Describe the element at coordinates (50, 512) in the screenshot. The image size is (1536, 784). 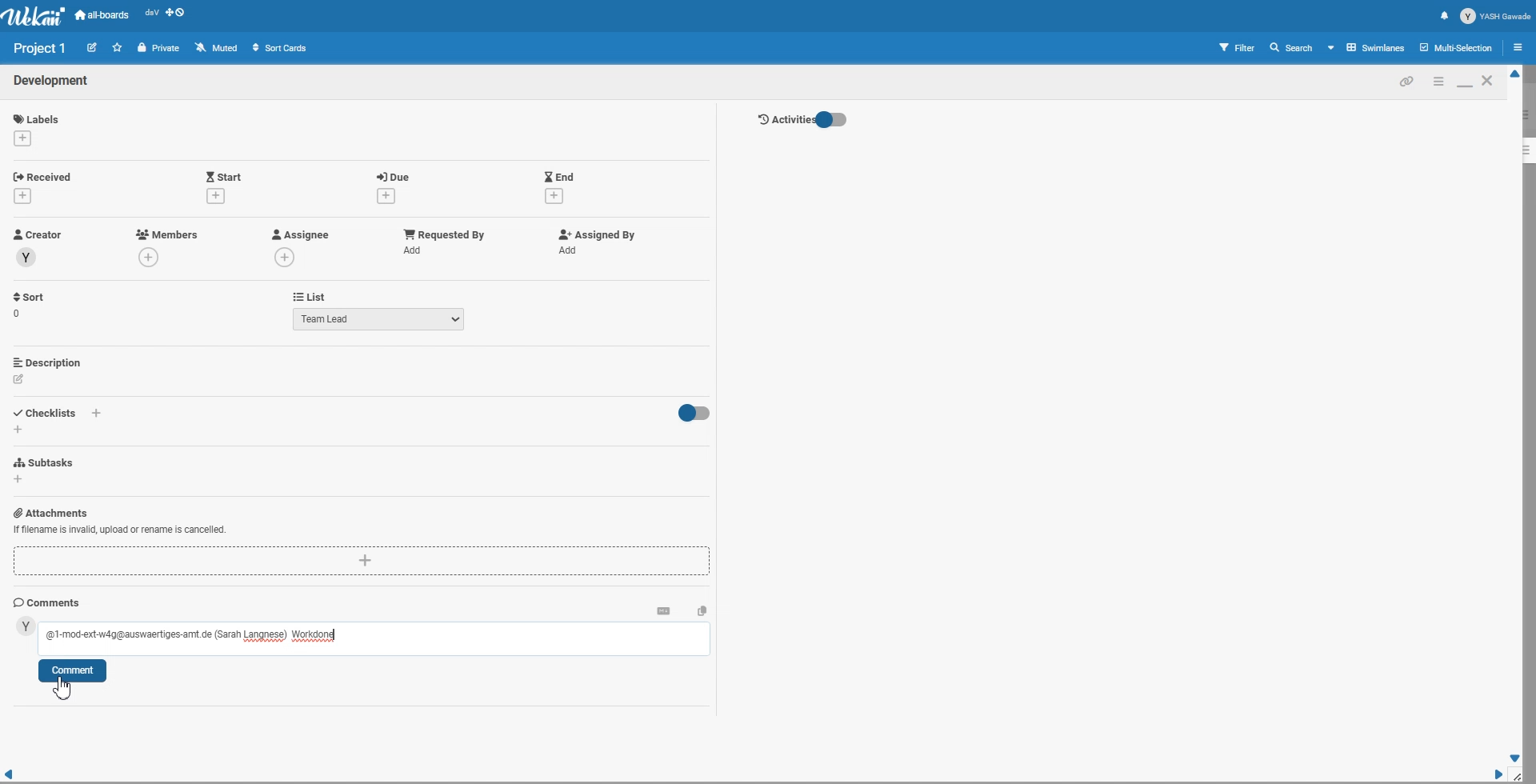
I see `Add Attachments` at that location.